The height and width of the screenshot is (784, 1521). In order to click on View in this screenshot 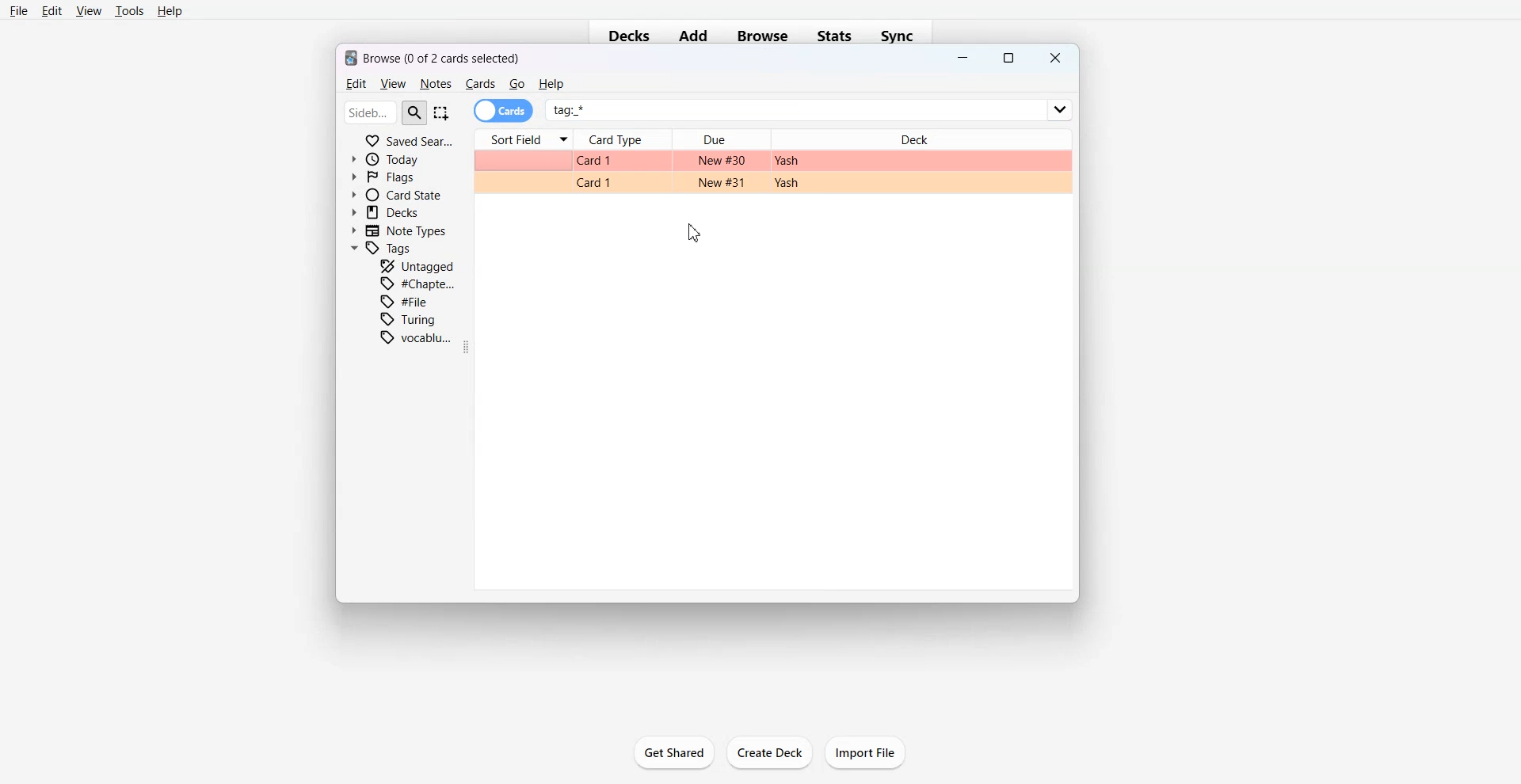, I will do `click(392, 84)`.